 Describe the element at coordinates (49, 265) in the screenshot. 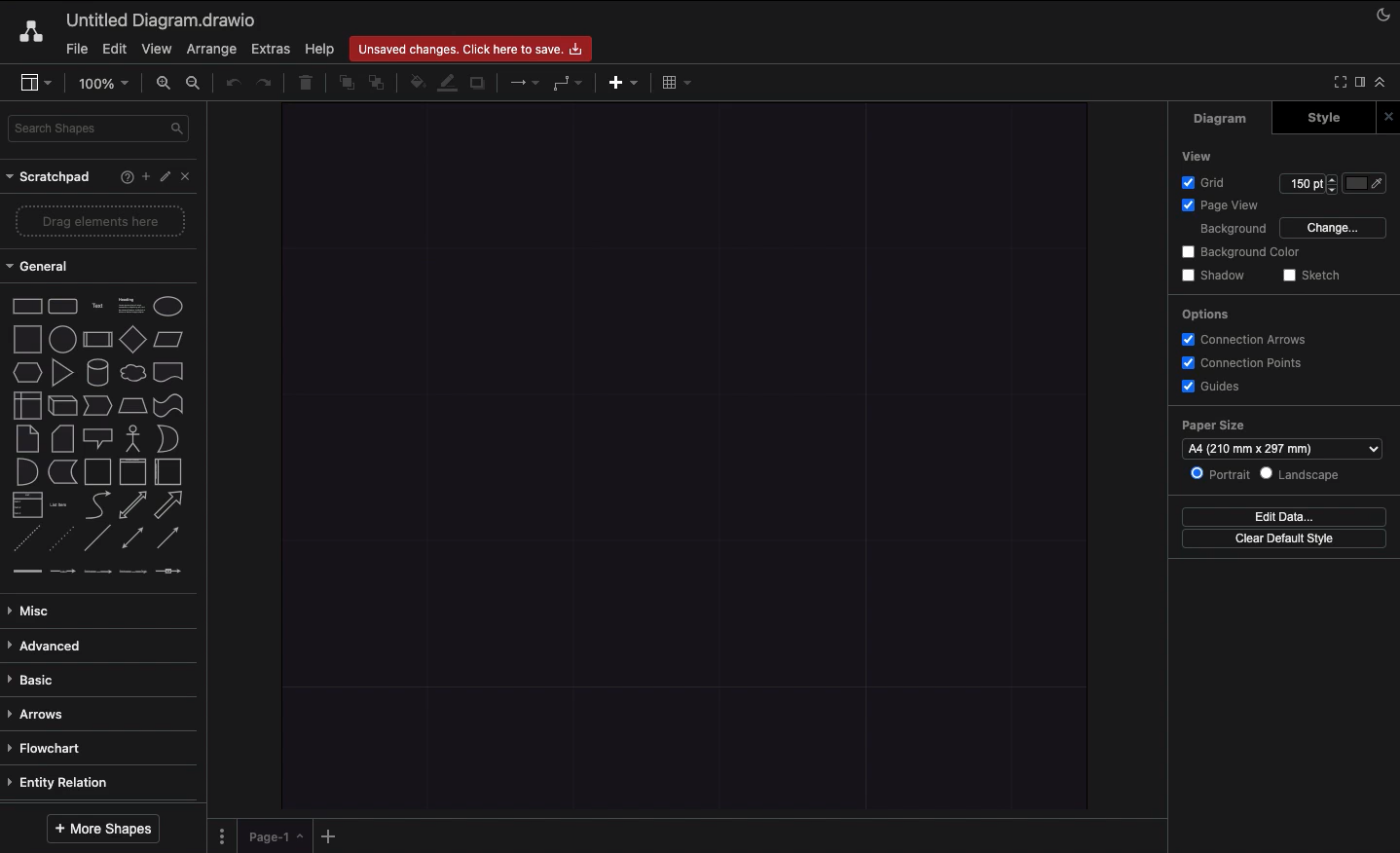

I see `General` at that location.